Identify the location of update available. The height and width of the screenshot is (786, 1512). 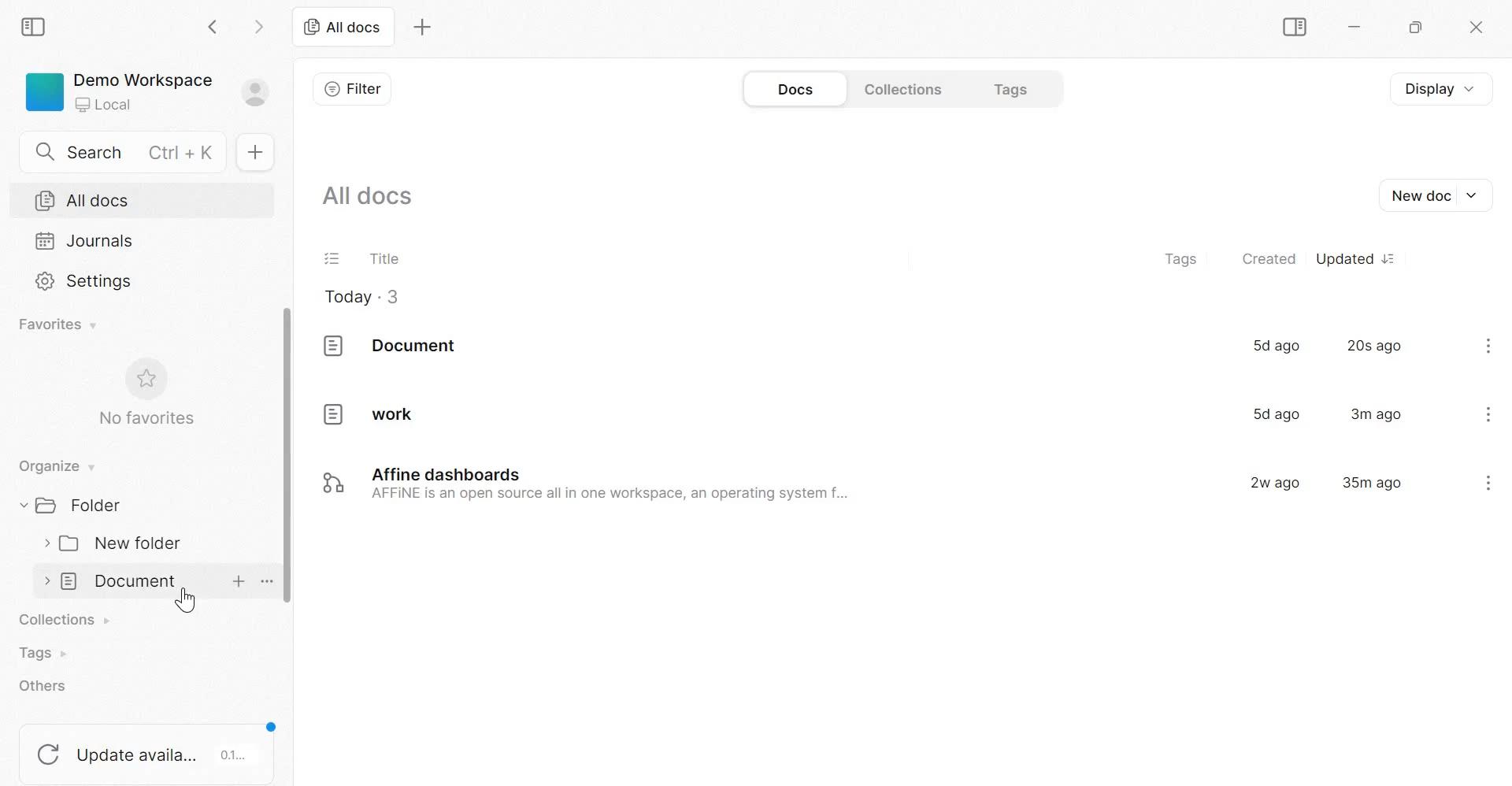
(147, 749).